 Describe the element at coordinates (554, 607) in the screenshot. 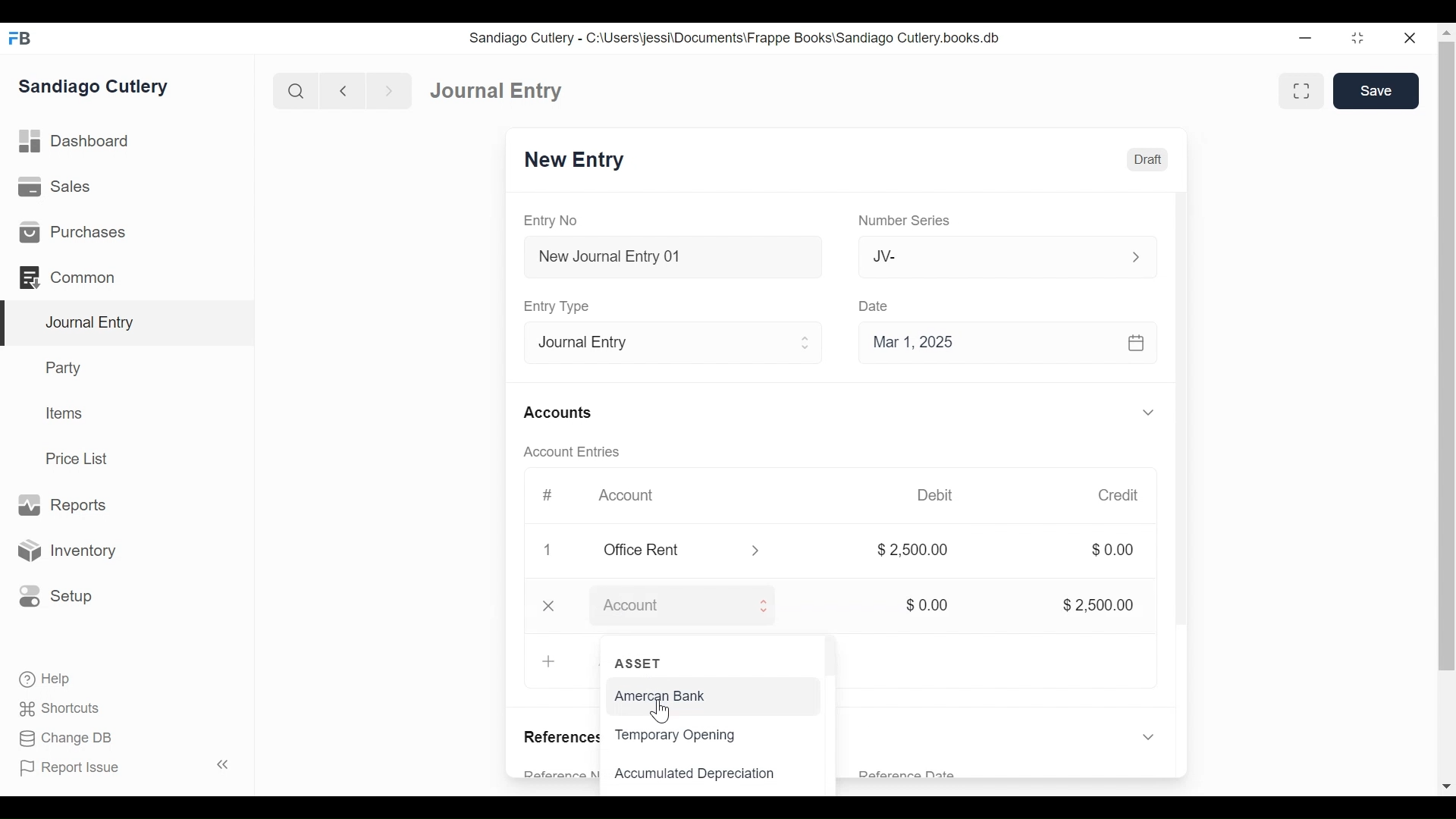

I see `delete` at that location.